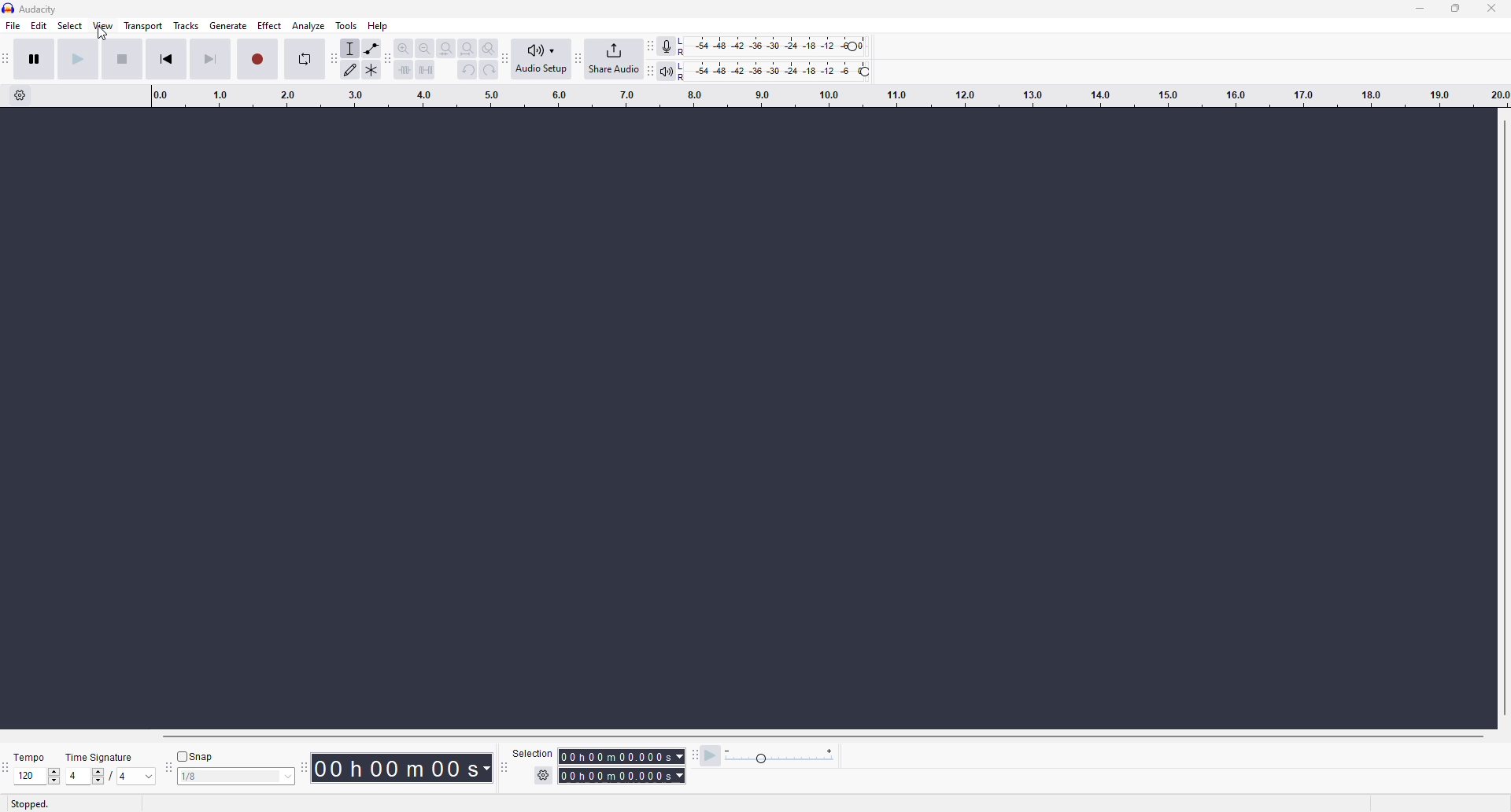 Image resolution: width=1511 pixels, height=812 pixels. I want to click on timeline options, so click(21, 98).